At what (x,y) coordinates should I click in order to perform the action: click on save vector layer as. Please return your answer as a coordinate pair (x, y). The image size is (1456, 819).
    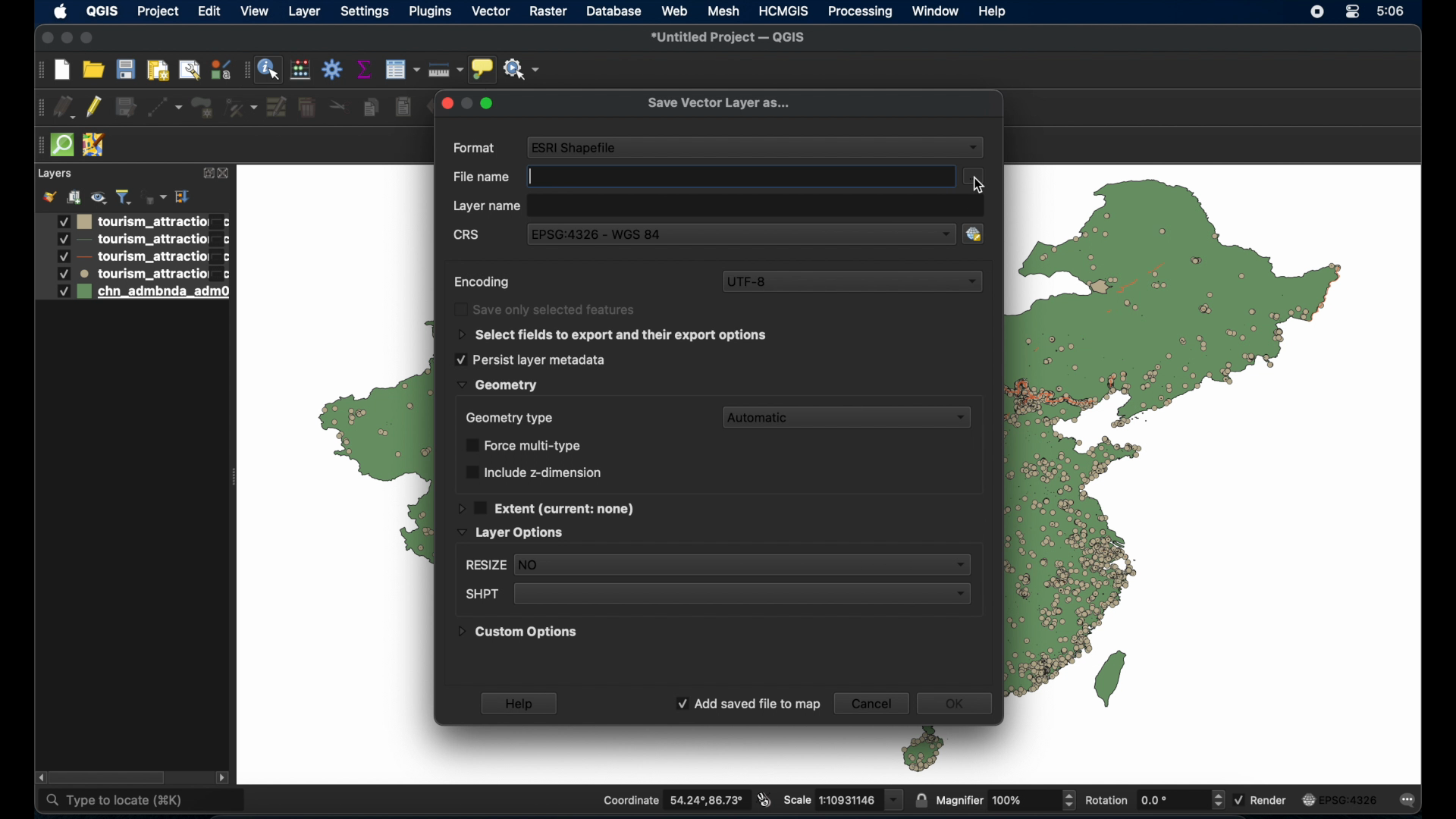
    Looking at the image, I should click on (718, 104).